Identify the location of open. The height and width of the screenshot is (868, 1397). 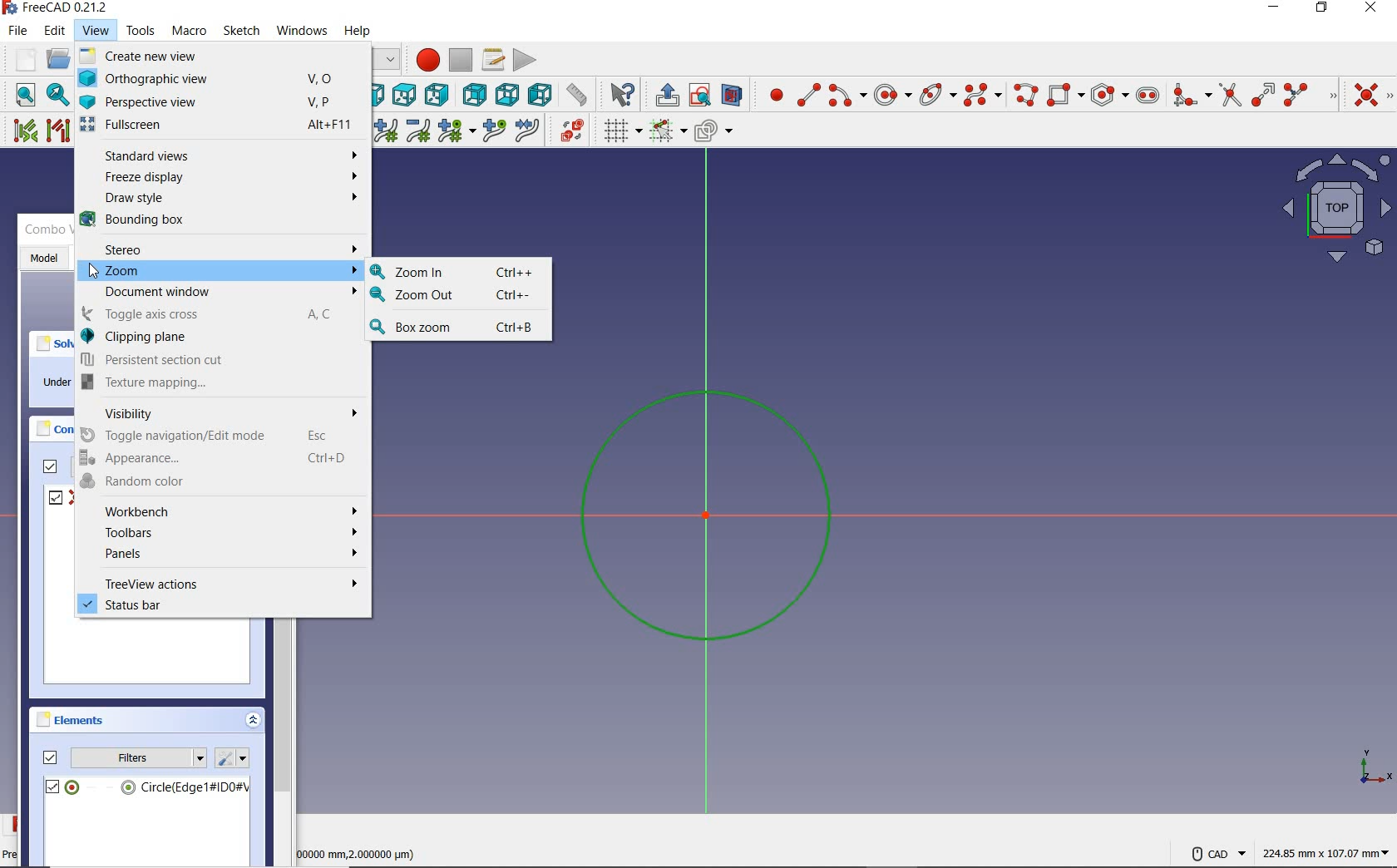
(58, 59).